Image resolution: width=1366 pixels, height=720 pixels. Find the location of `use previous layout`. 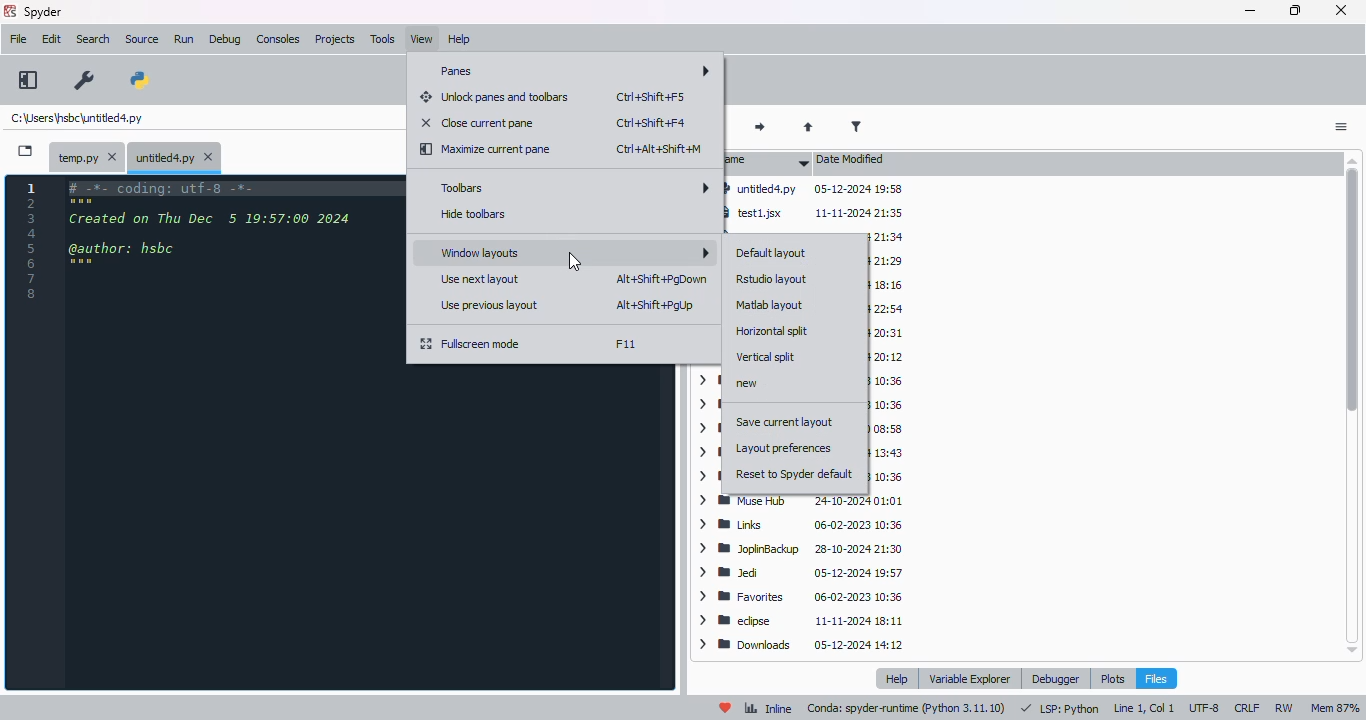

use previous layout is located at coordinates (493, 305).